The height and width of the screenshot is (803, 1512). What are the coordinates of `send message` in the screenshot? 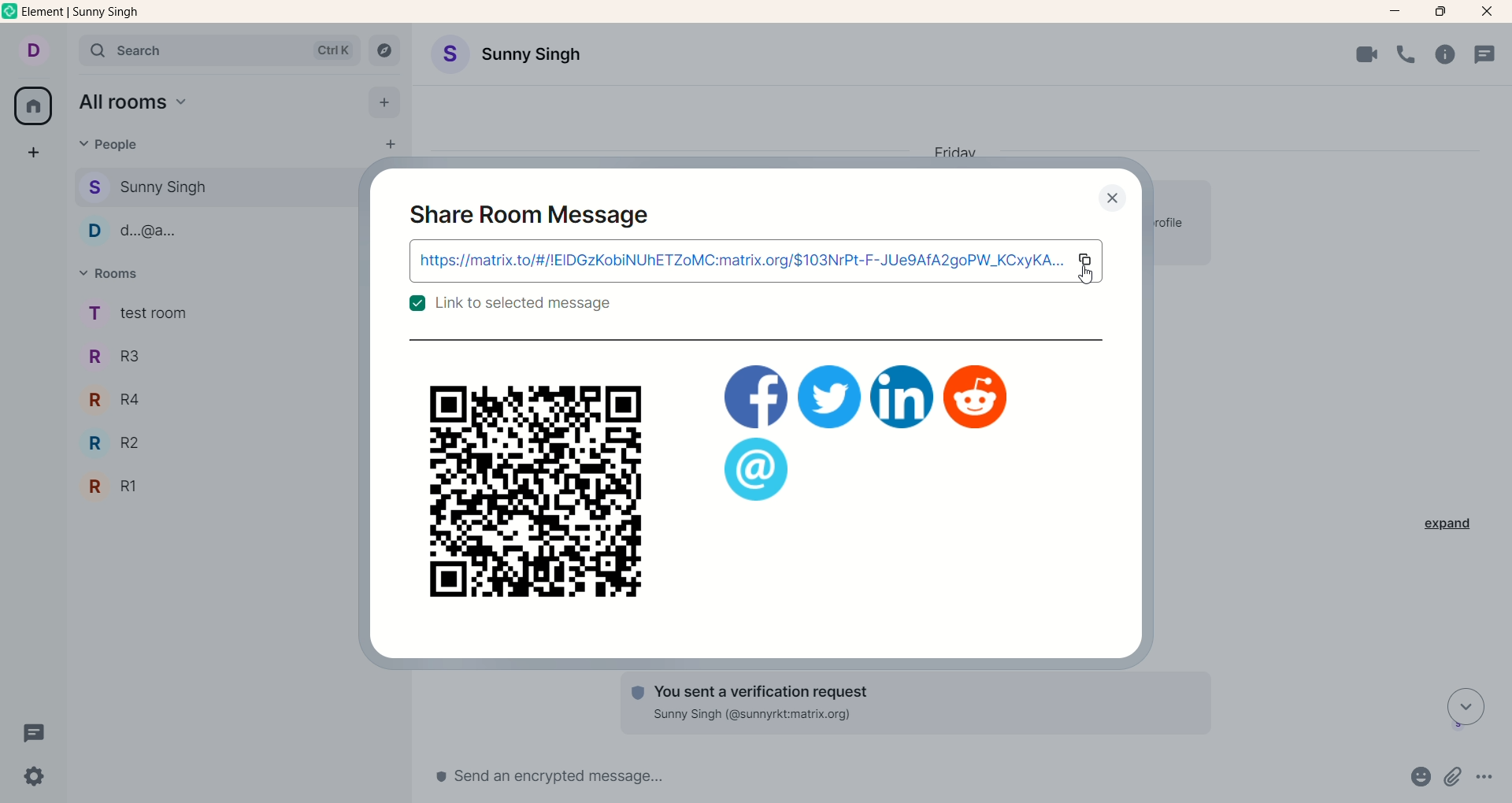 It's located at (636, 780).